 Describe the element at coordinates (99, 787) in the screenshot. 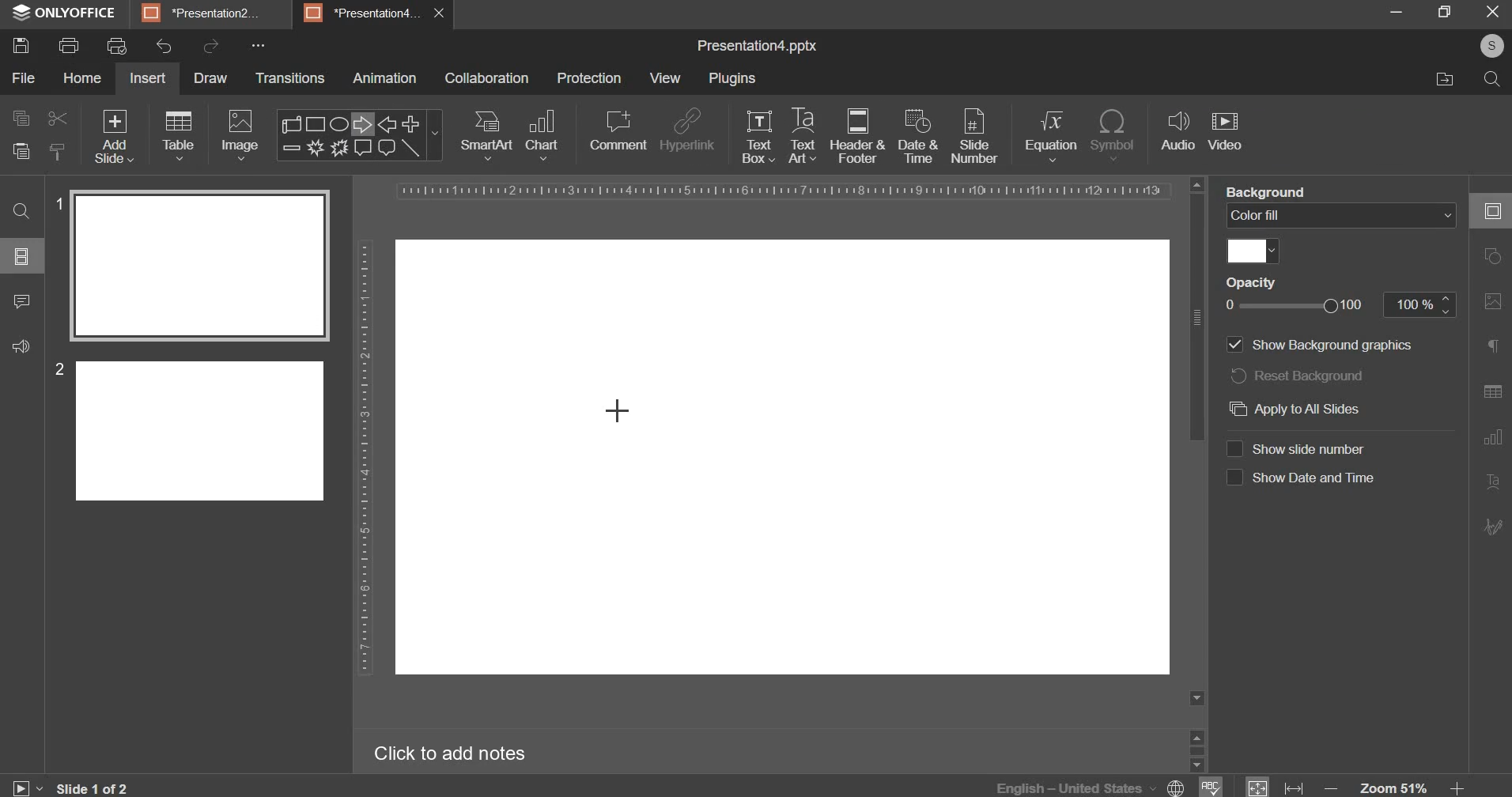

I see `lide 1 of 2` at that location.